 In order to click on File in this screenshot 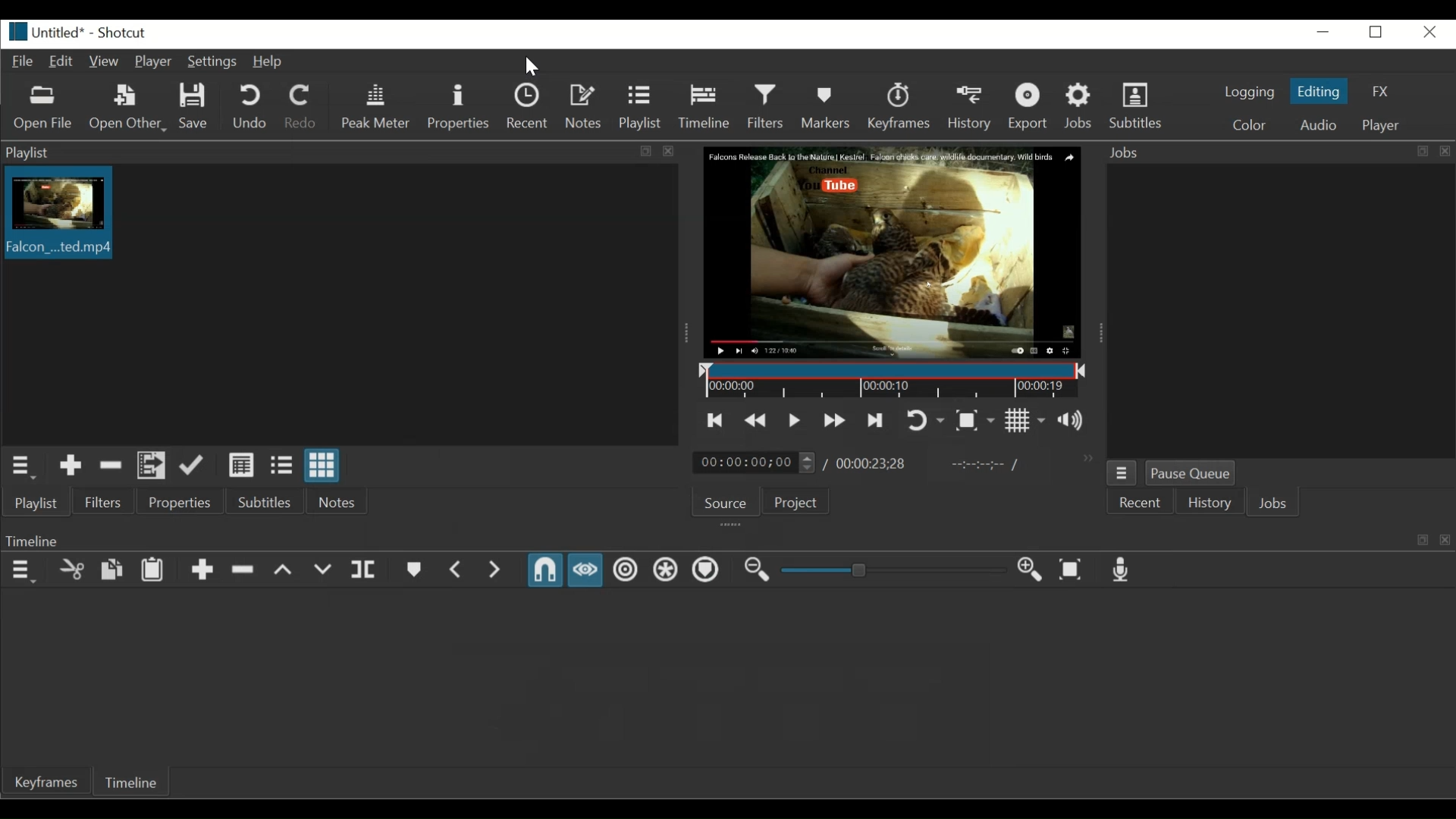, I will do `click(25, 61)`.